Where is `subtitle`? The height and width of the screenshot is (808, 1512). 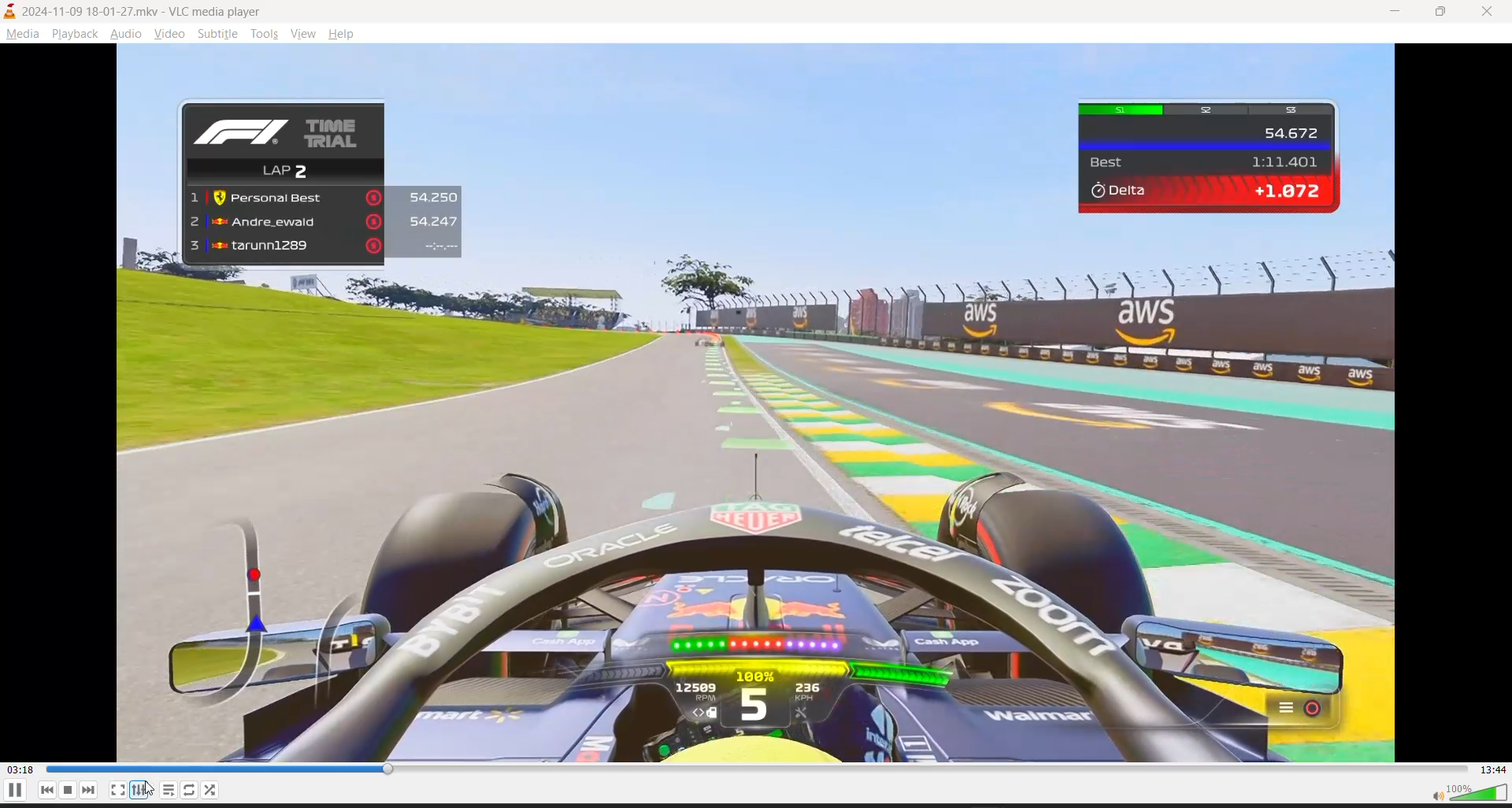
subtitle is located at coordinates (220, 32).